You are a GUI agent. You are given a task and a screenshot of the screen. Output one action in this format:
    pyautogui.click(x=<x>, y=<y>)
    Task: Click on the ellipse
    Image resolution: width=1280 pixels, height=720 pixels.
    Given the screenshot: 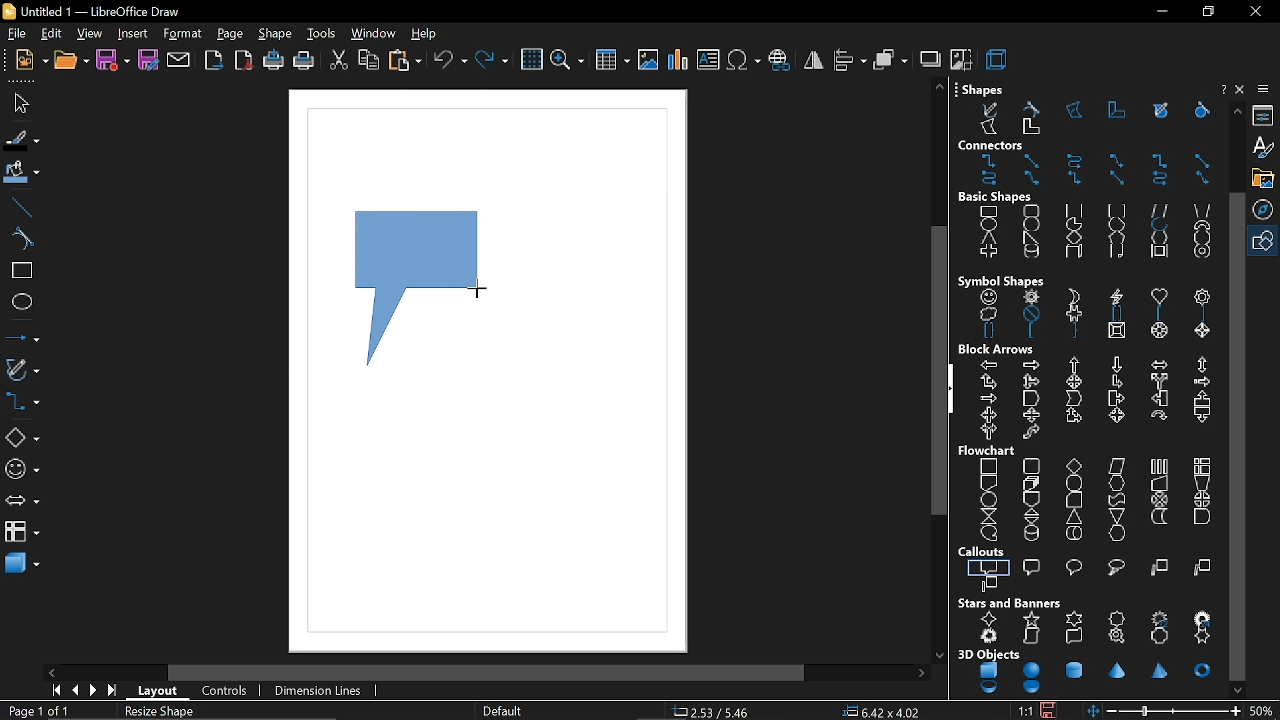 What is the action you would take?
    pyautogui.click(x=990, y=225)
    